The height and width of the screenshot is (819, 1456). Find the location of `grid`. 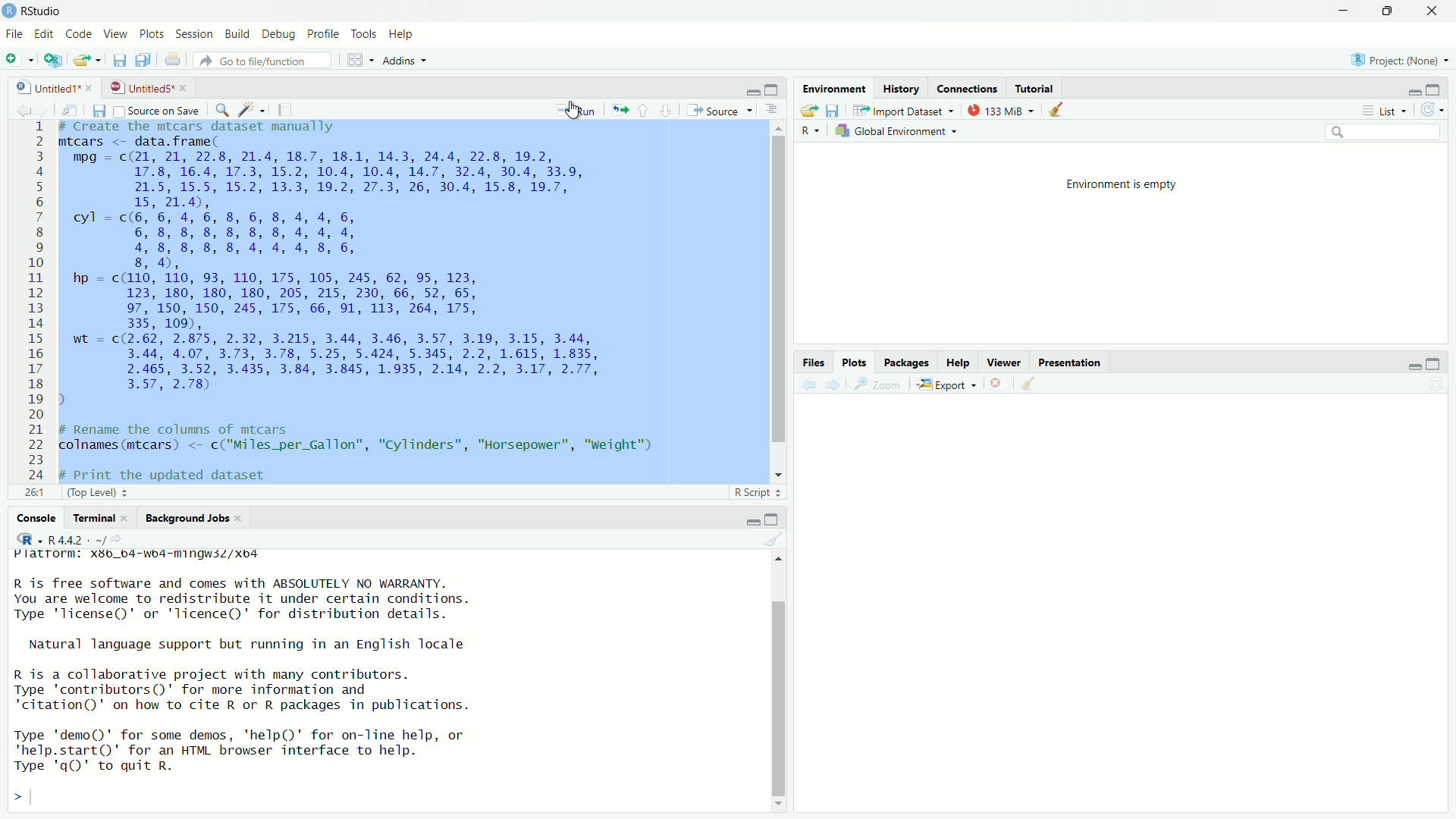

grid is located at coordinates (361, 60).